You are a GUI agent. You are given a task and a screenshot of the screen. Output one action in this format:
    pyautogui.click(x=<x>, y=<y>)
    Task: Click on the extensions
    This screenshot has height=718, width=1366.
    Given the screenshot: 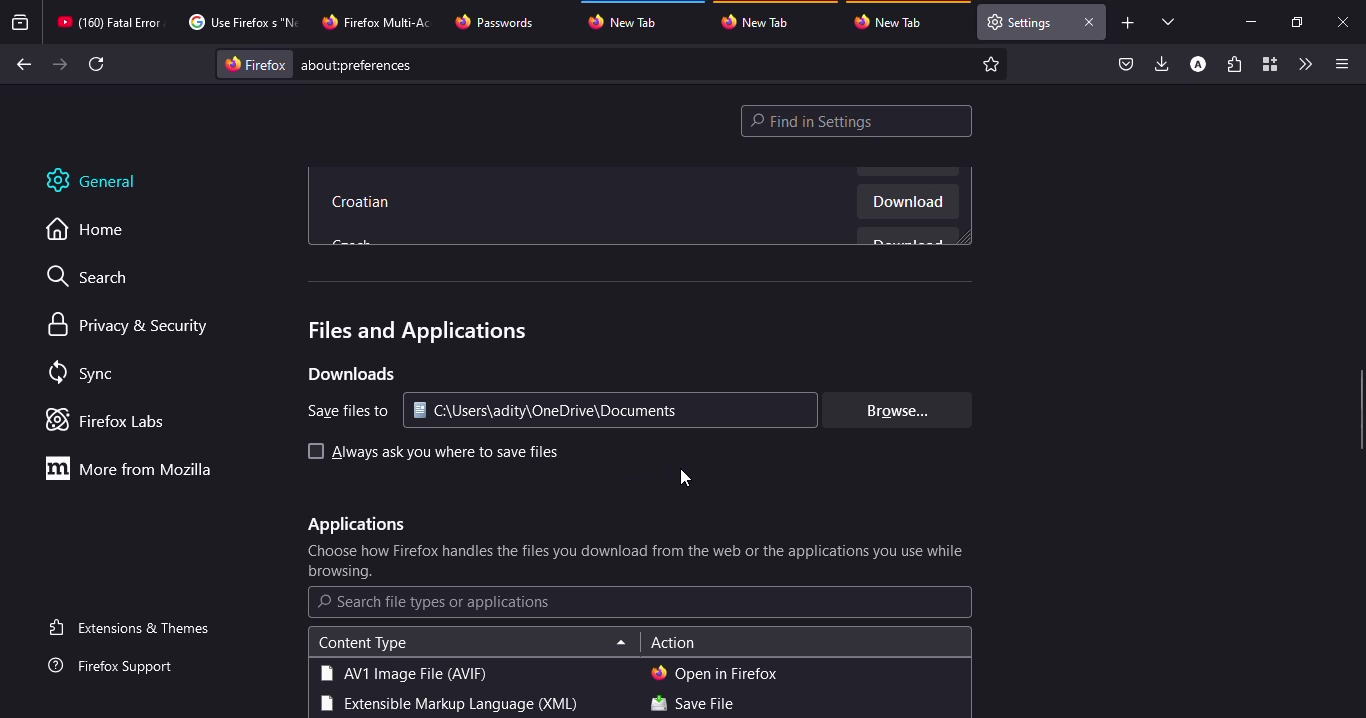 What is the action you would take?
    pyautogui.click(x=1234, y=66)
    